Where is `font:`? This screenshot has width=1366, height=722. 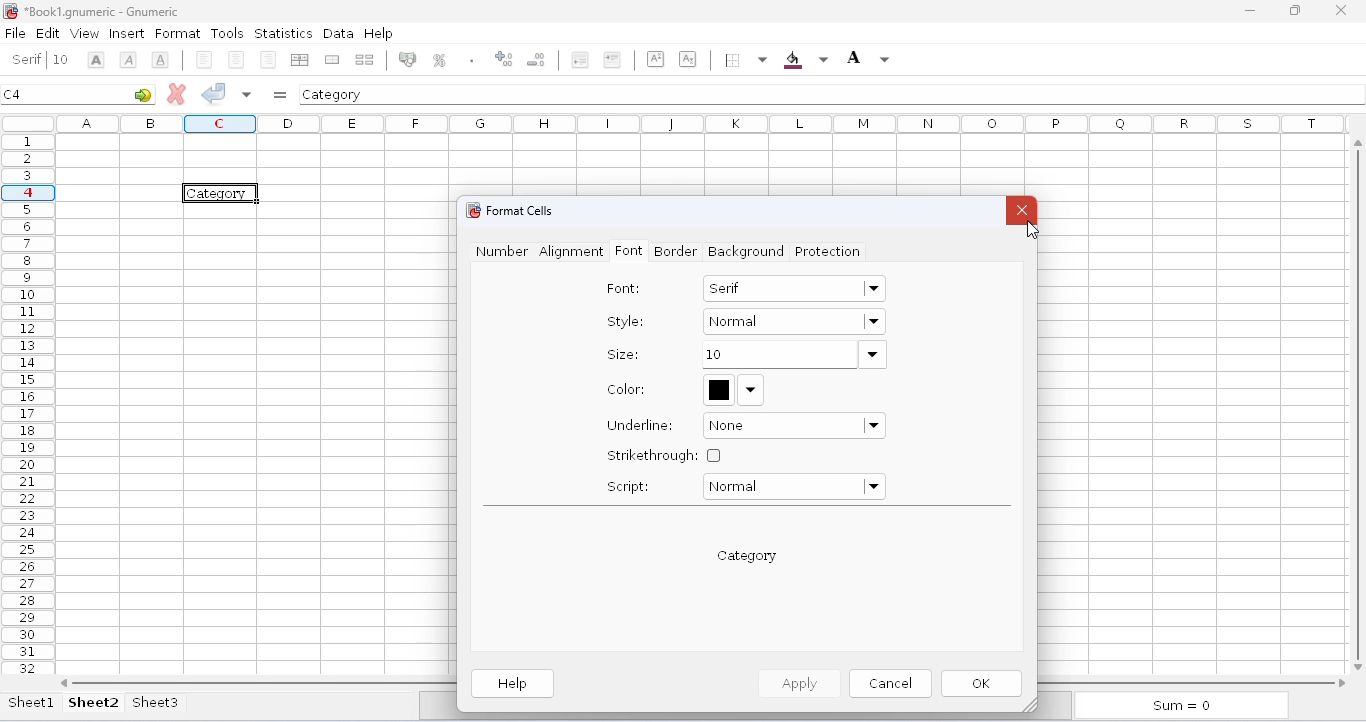 font: is located at coordinates (623, 288).